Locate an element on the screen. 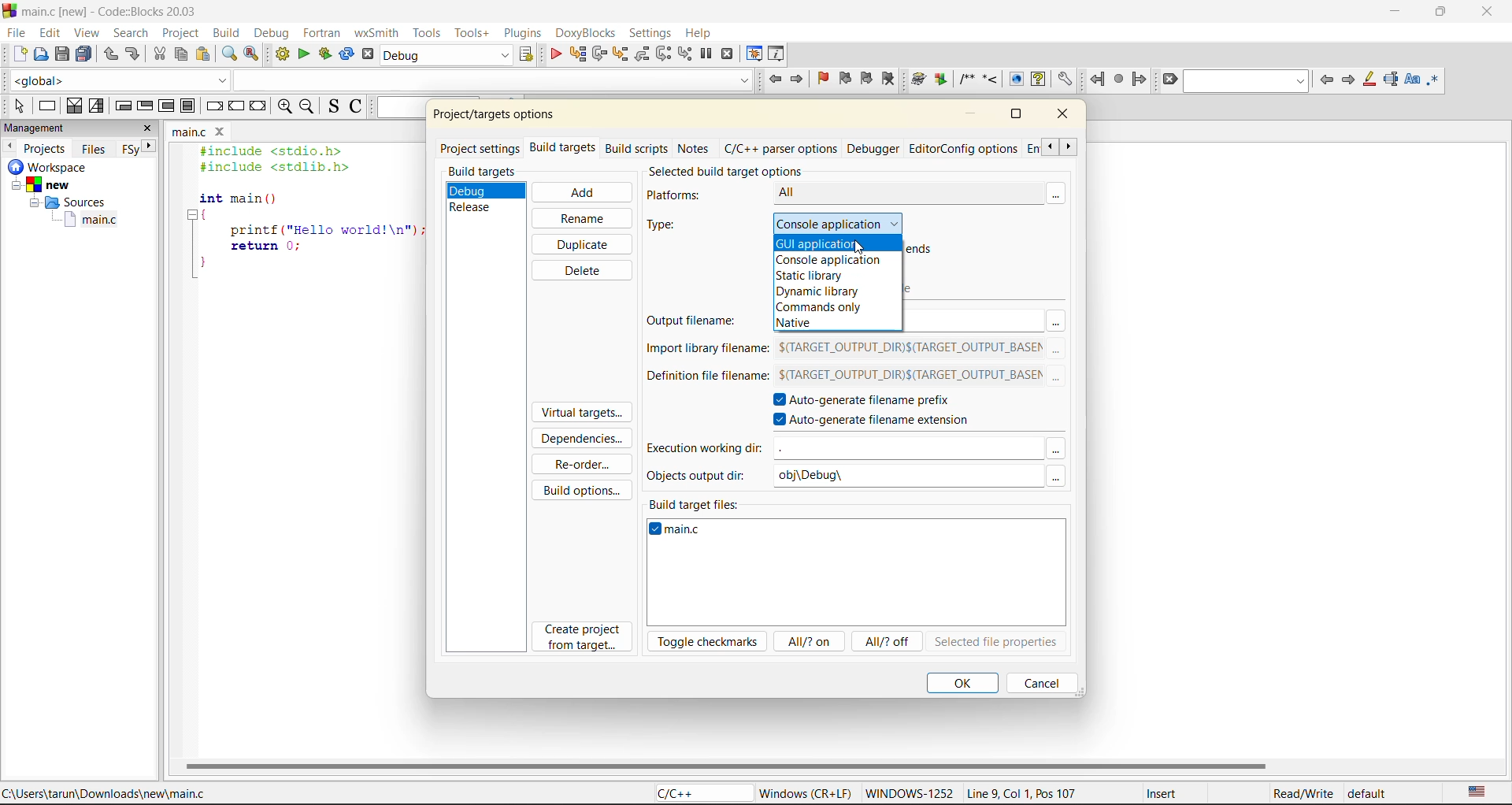  console application is located at coordinates (834, 260).